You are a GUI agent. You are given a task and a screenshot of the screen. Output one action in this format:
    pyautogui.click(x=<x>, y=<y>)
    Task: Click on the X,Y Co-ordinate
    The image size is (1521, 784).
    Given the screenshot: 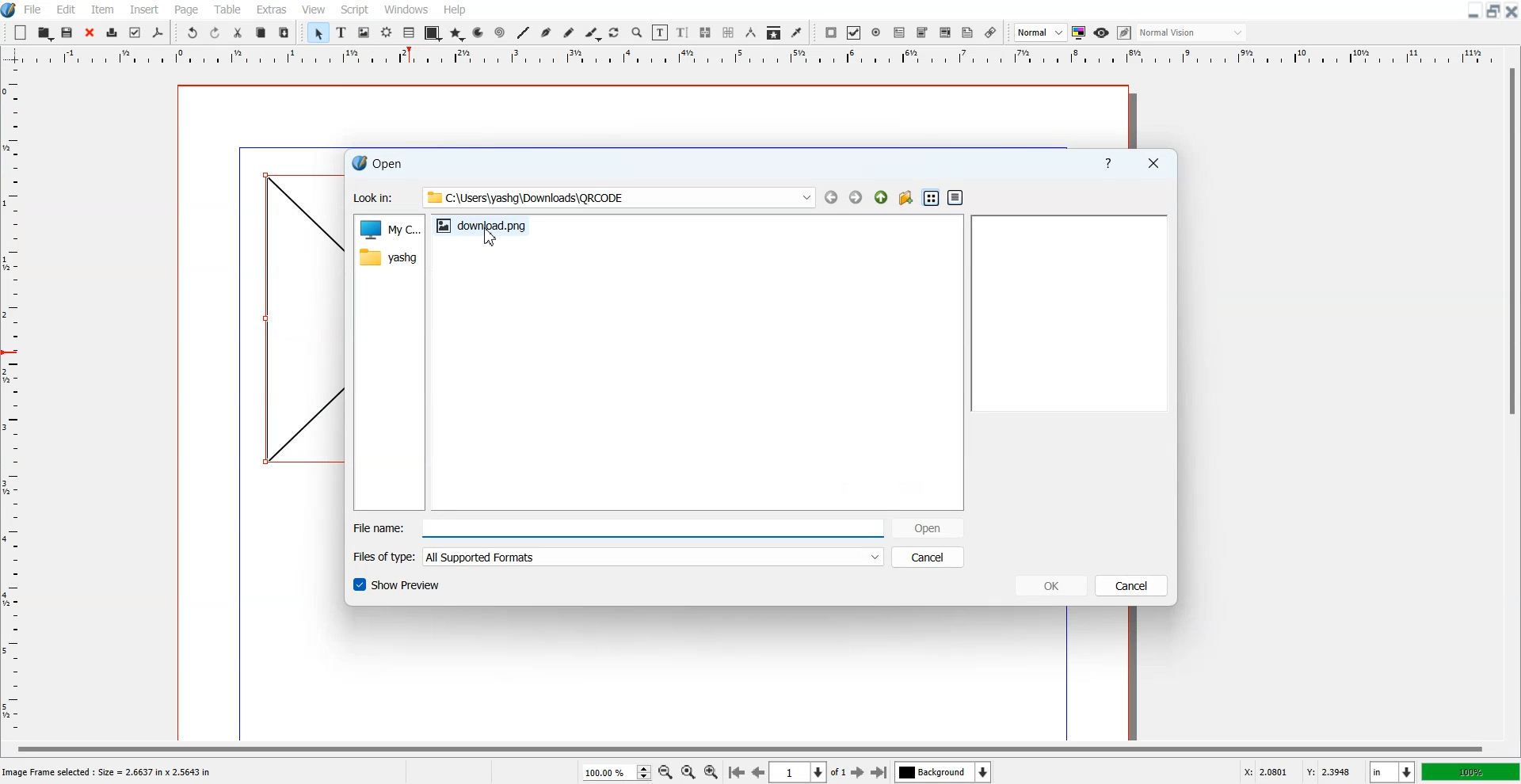 What is the action you would take?
    pyautogui.click(x=1301, y=771)
    